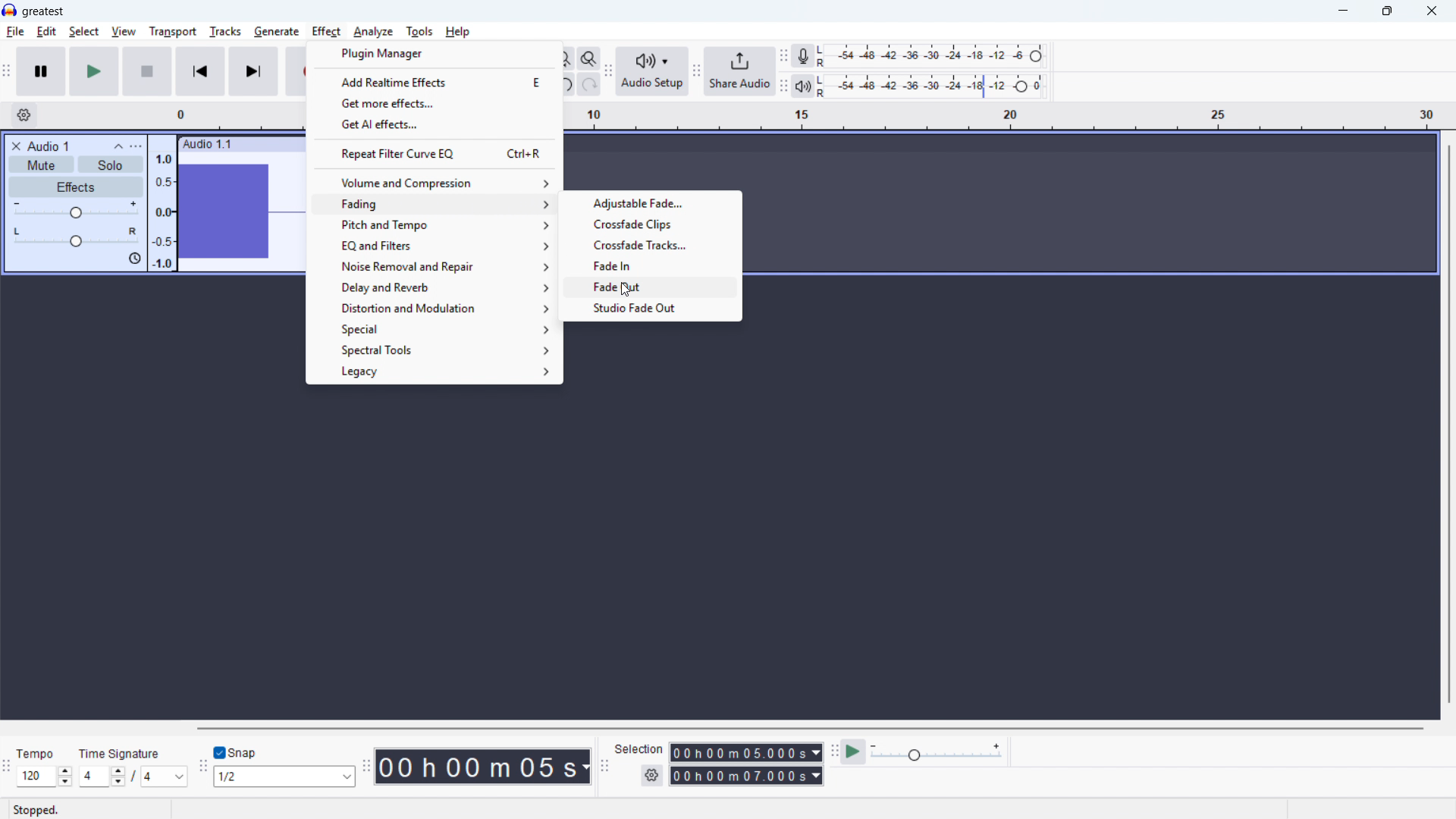 The height and width of the screenshot is (819, 1456). What do you see at coordinates (435, 373) in the screenshot?
I see `Legacy ` at bounding box center [435, 373].